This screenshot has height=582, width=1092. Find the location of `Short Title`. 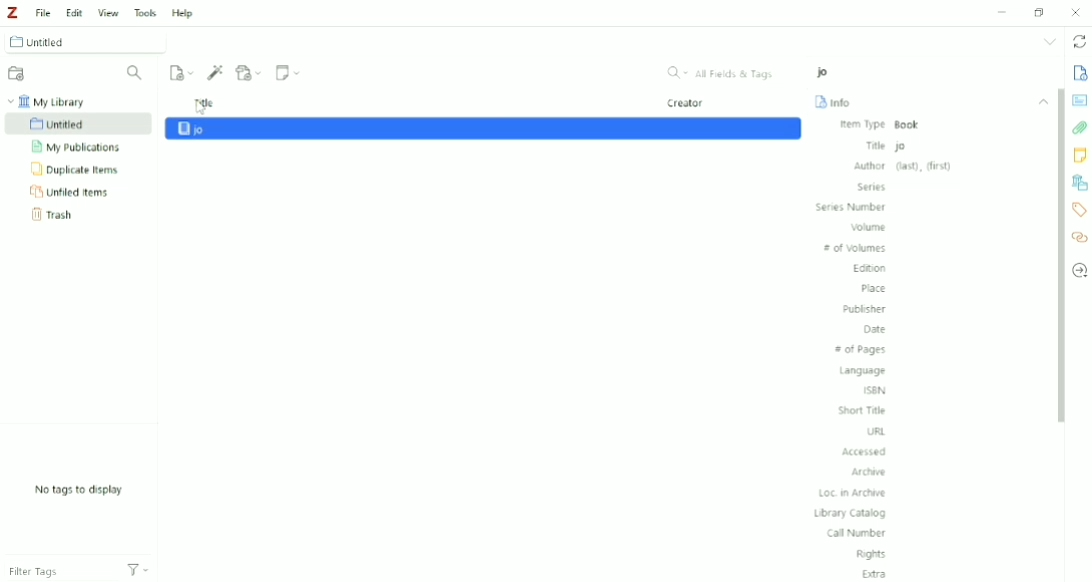

Short Title is located at coordinates (863, 410).